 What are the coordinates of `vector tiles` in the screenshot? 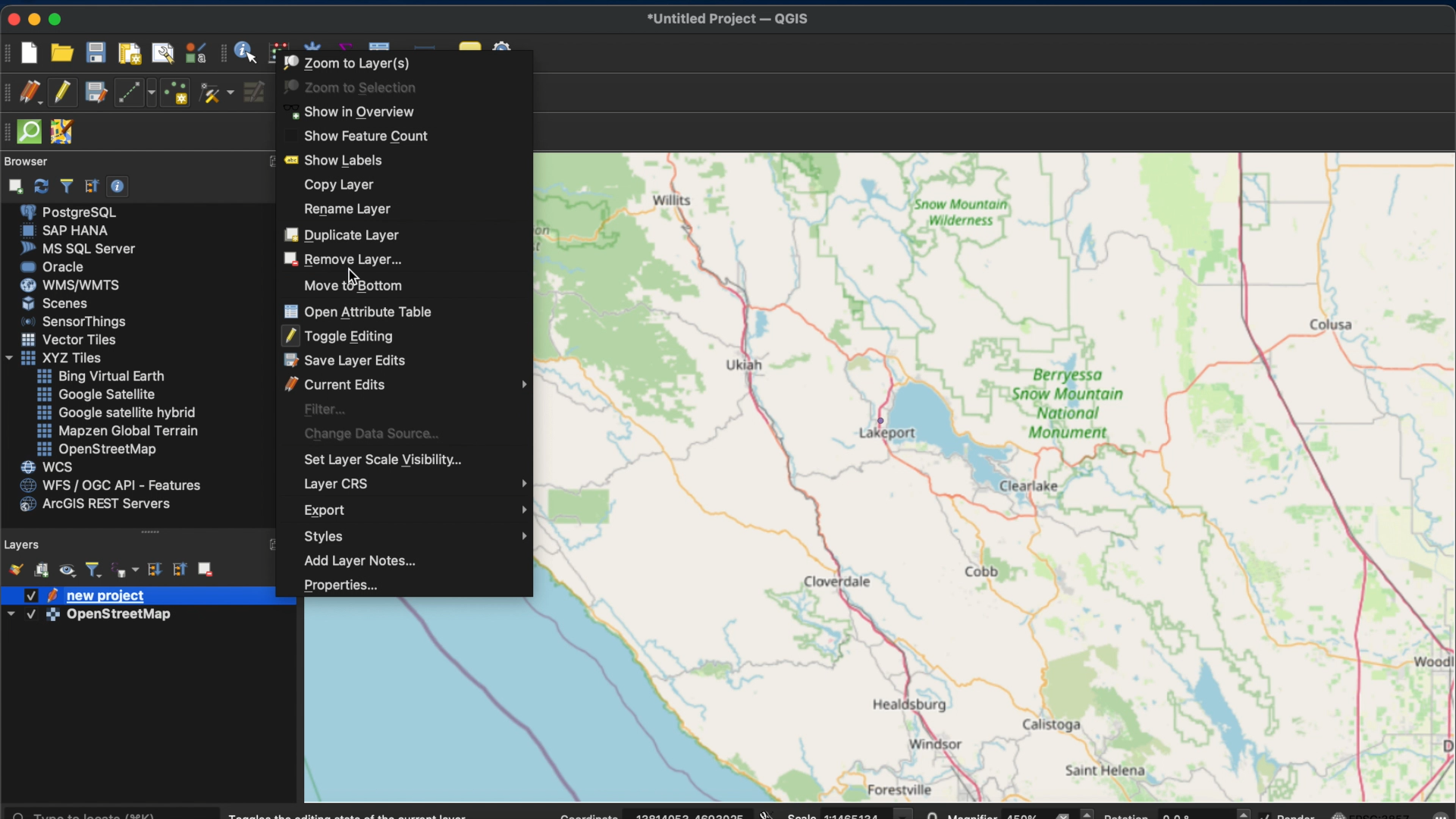 It's located at (70, 340).